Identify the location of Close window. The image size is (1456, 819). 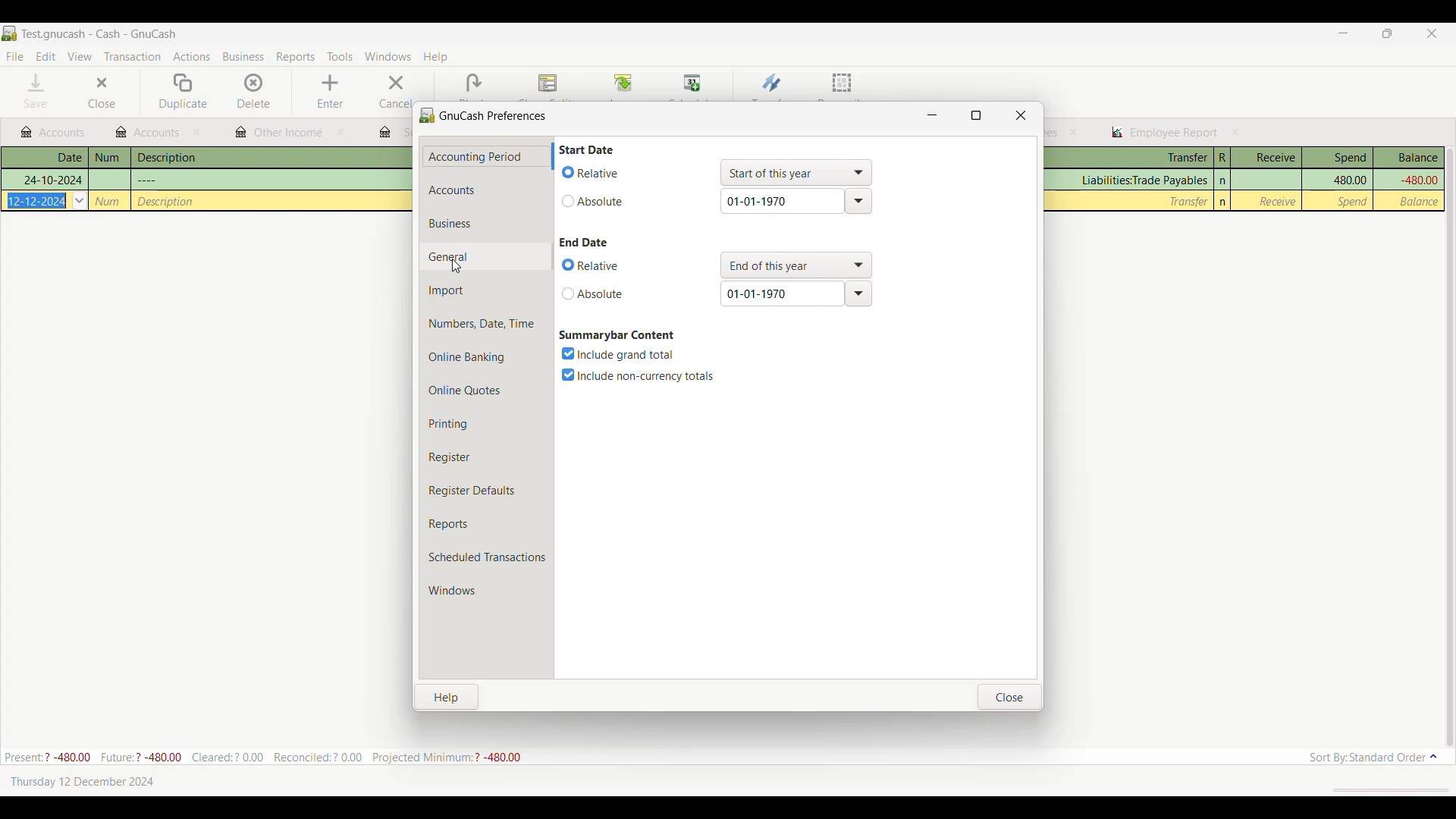
(1021, 115).